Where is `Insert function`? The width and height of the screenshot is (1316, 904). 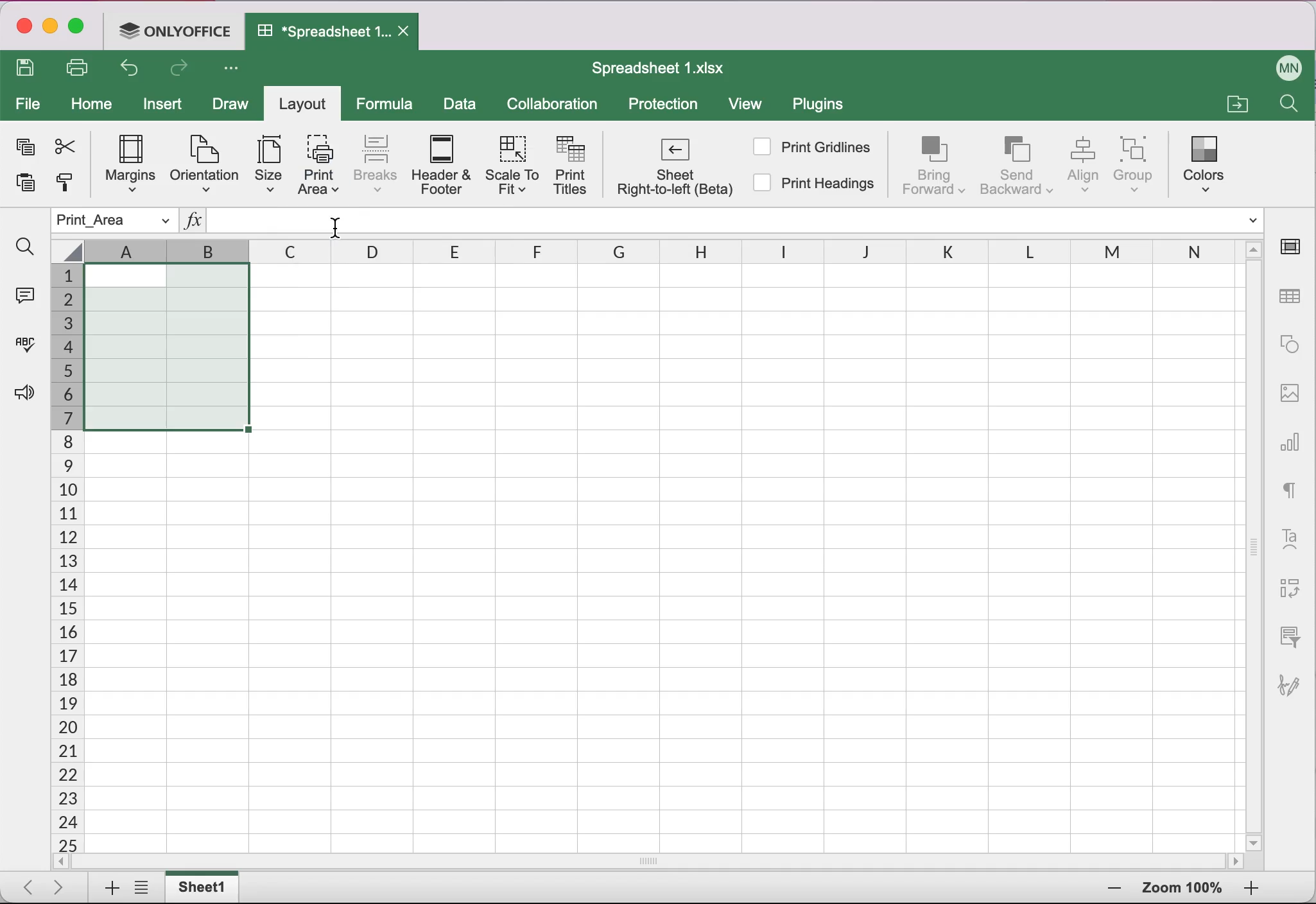 Insert function is located at coordinates (193, 223).